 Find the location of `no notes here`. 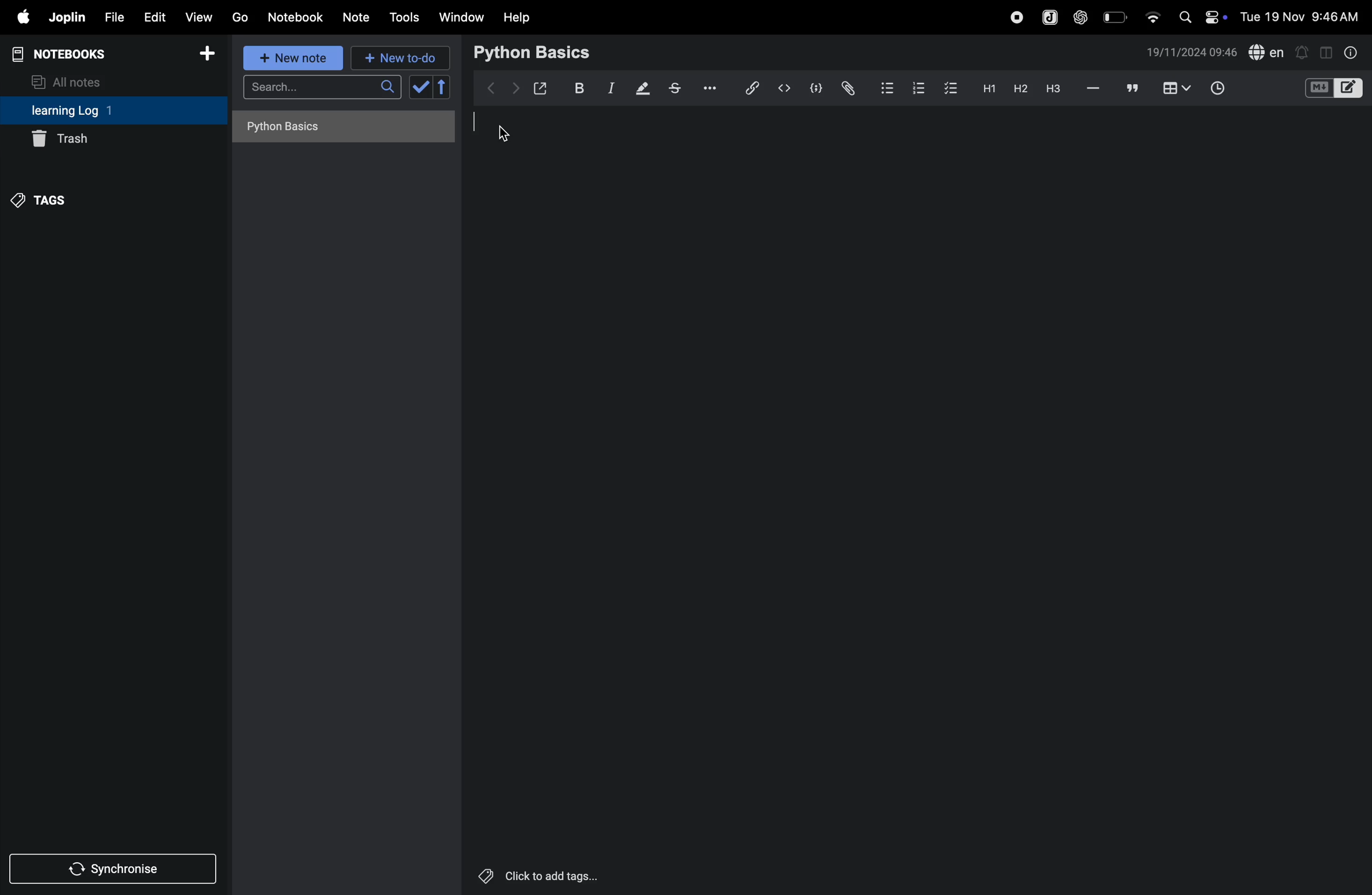

no notes here is located at coordinates (340, 130).